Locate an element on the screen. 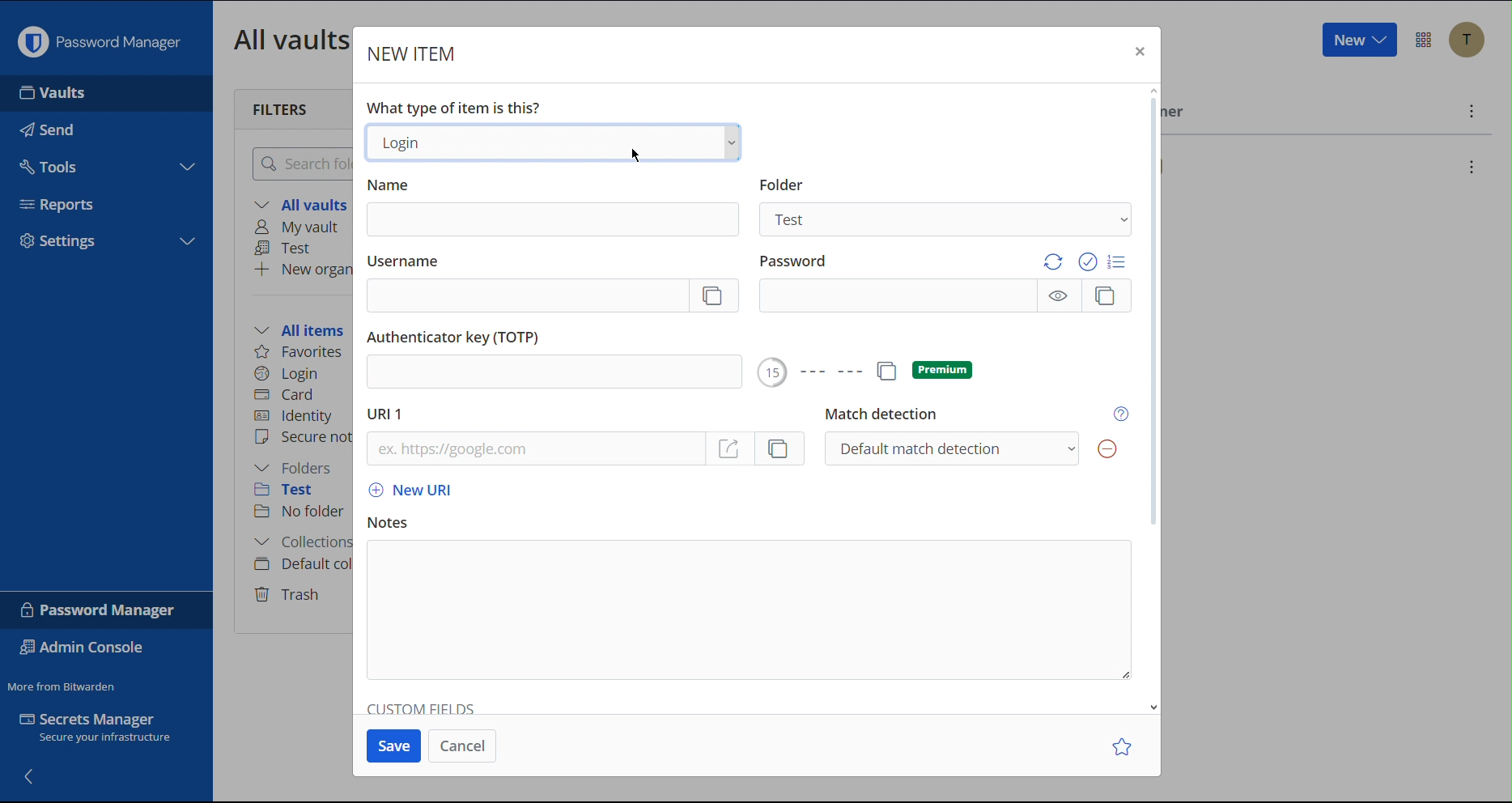  scroll up is located at coordinates (1153, 91).